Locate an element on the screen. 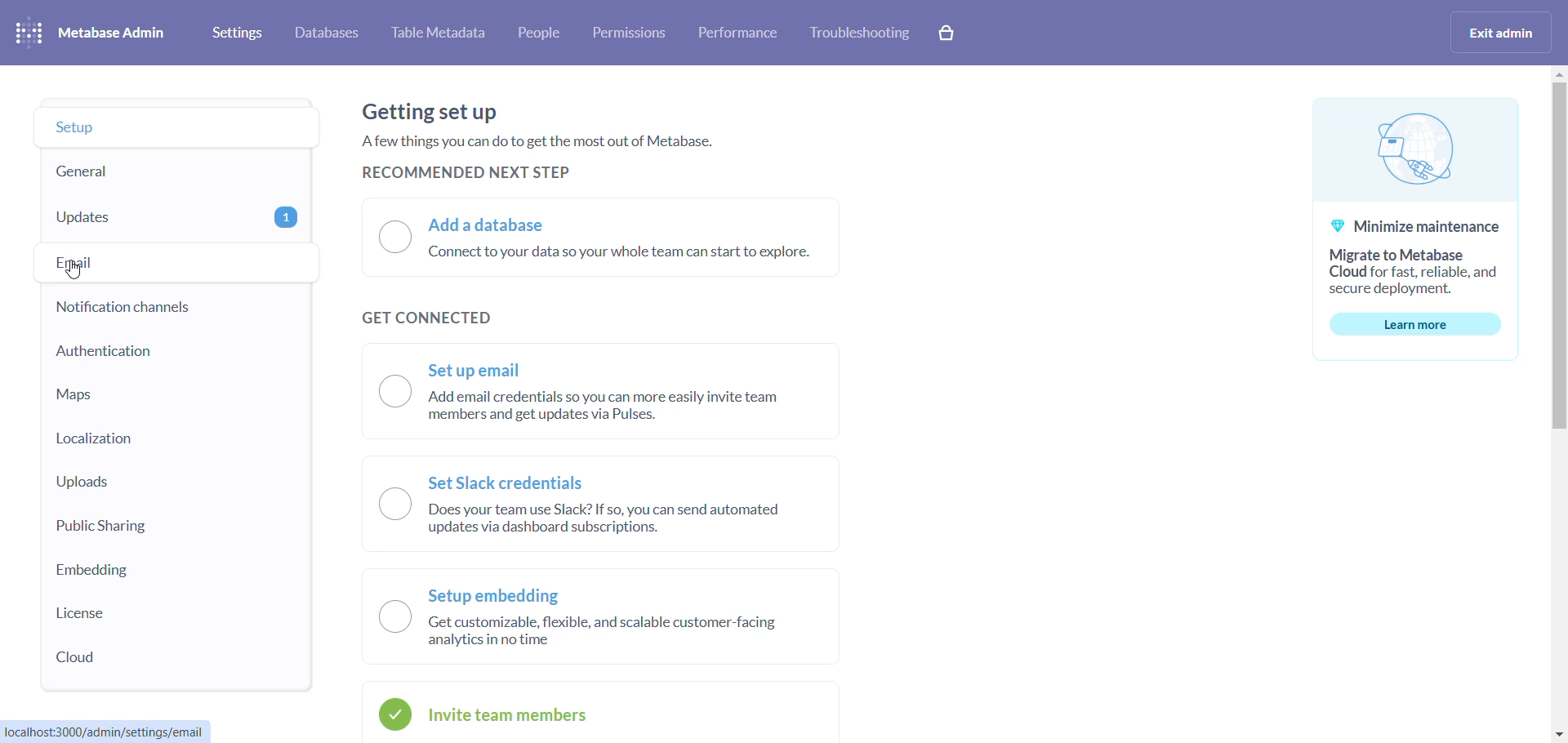 The image size is (1568, 743). move down is located at coordinates (1558, 735).